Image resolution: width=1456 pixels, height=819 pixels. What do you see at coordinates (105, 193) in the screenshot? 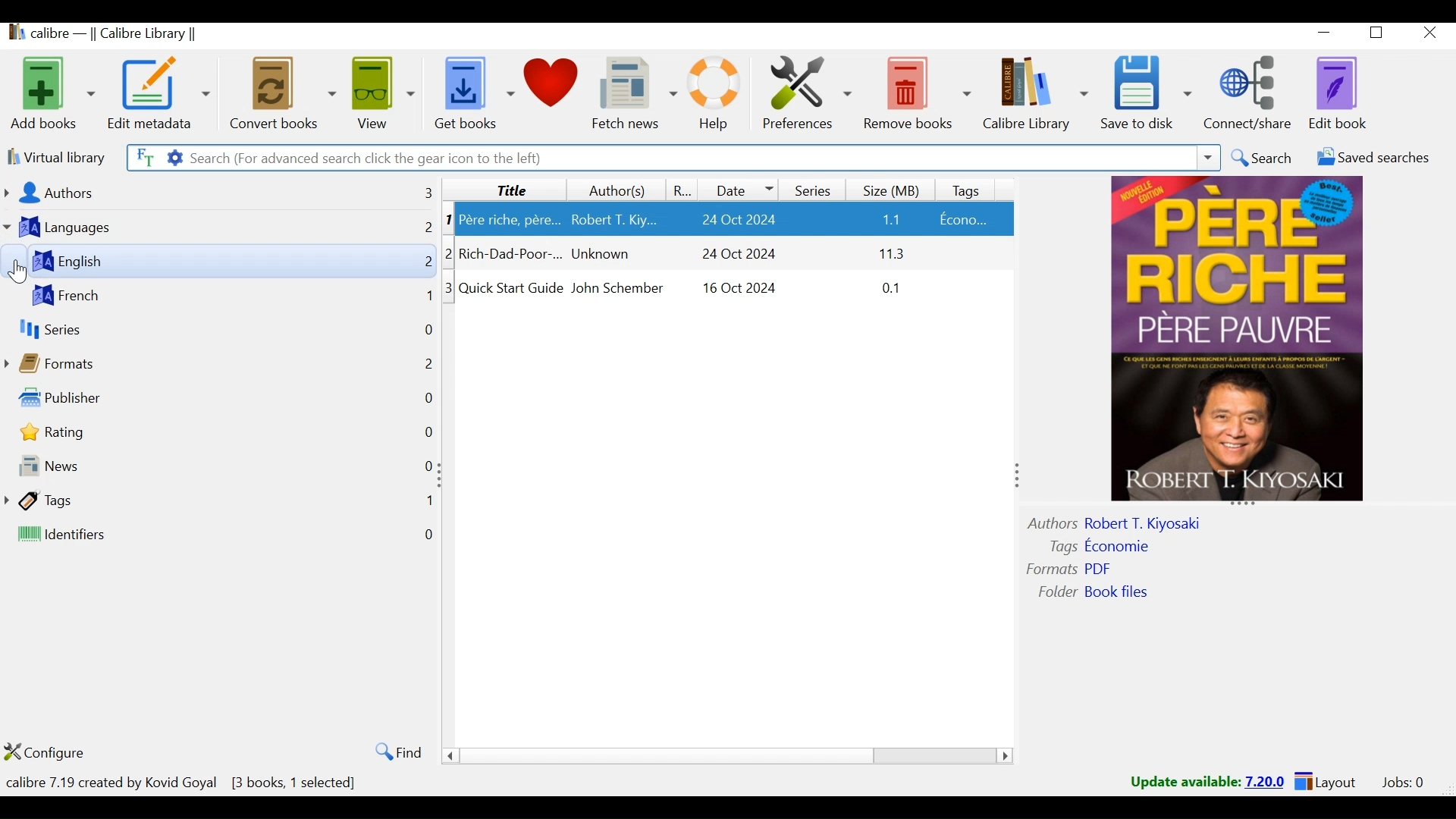
I see `Authors` at bounding box center [105, 193].